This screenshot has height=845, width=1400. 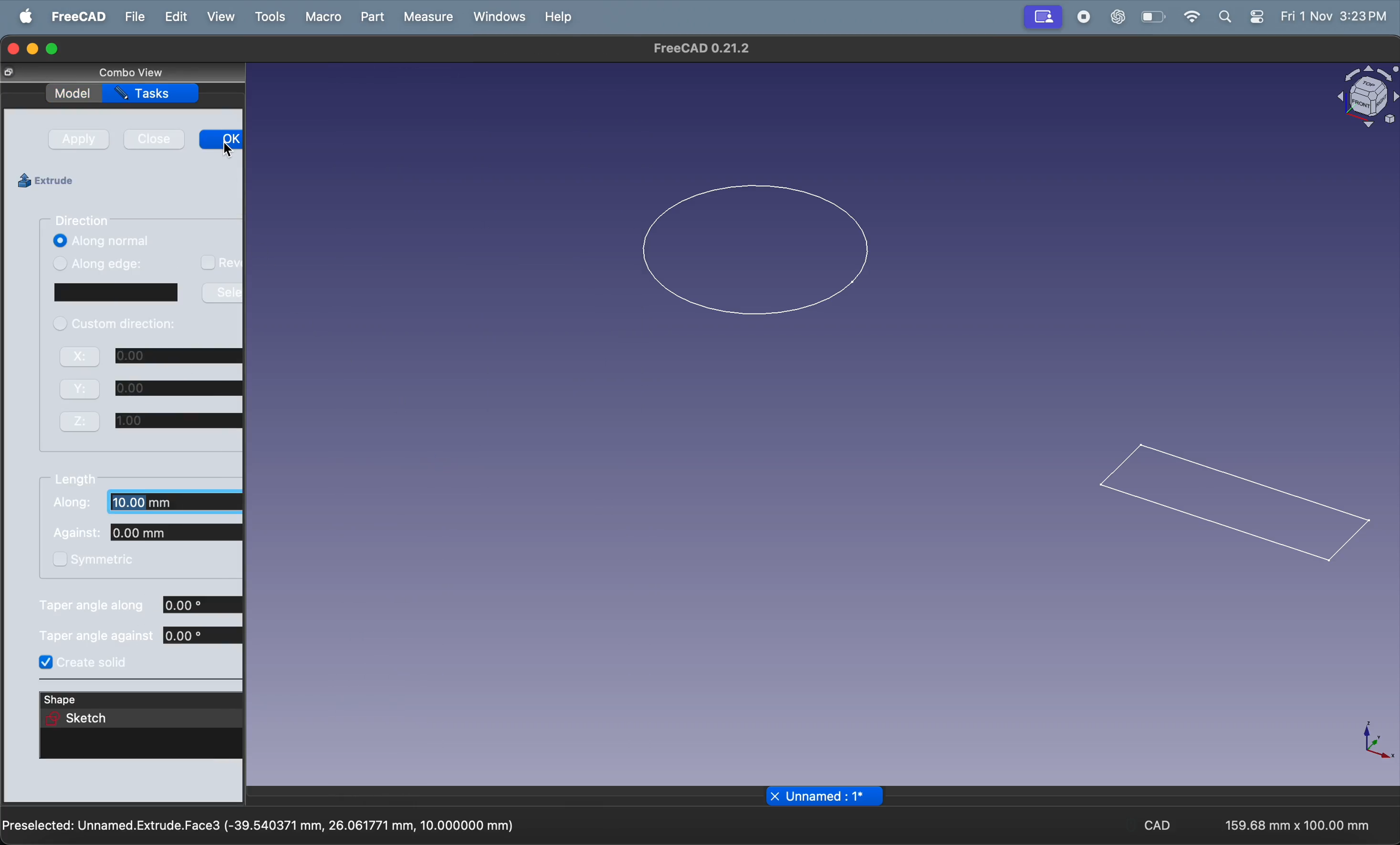 I want to click on Sele, so click(x=222, y=292).